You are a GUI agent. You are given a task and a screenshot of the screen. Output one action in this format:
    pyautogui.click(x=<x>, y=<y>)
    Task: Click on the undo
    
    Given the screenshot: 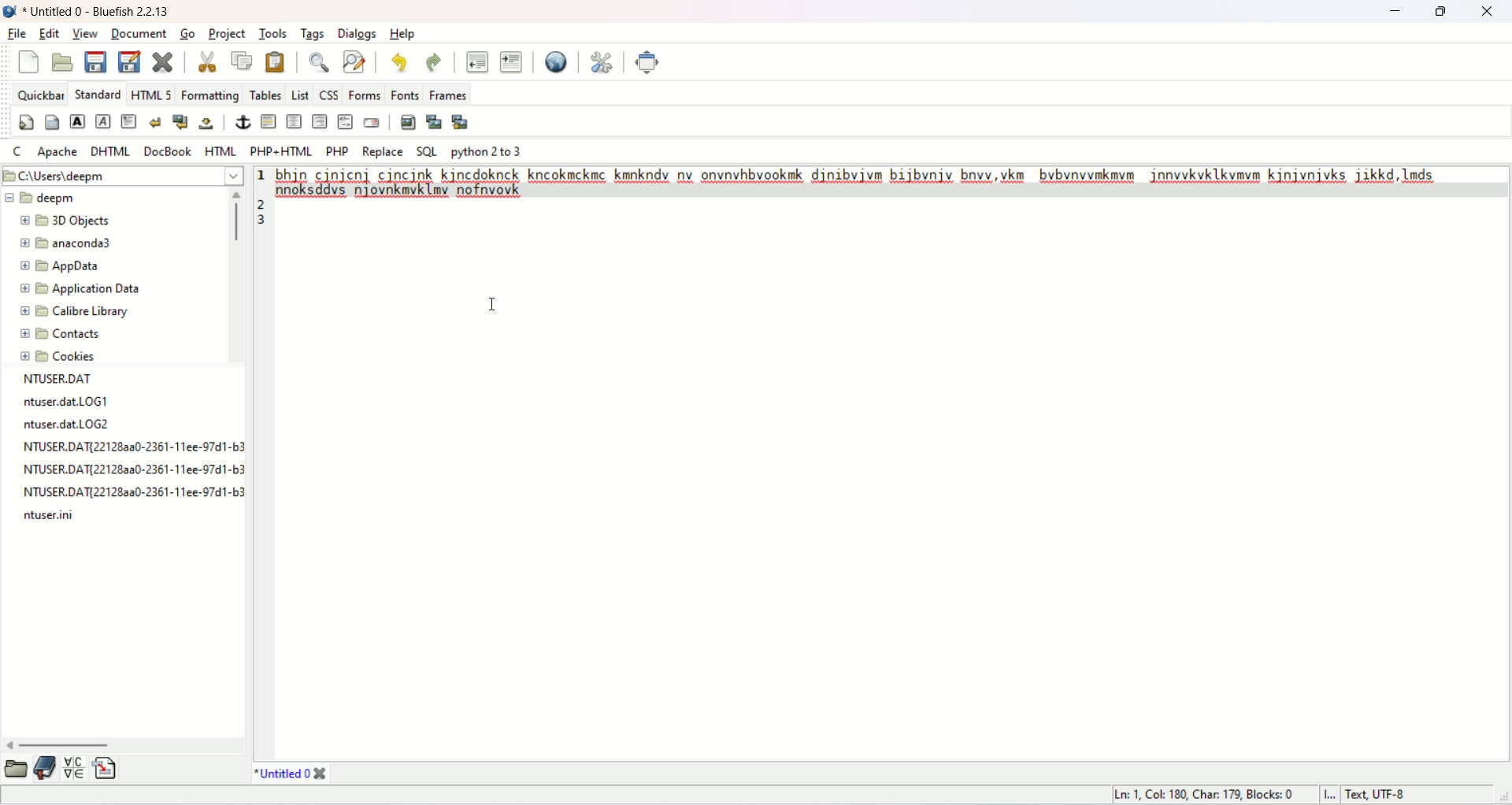 What is the action you would take?
    pyautogui.click(x=398, y=63)
    